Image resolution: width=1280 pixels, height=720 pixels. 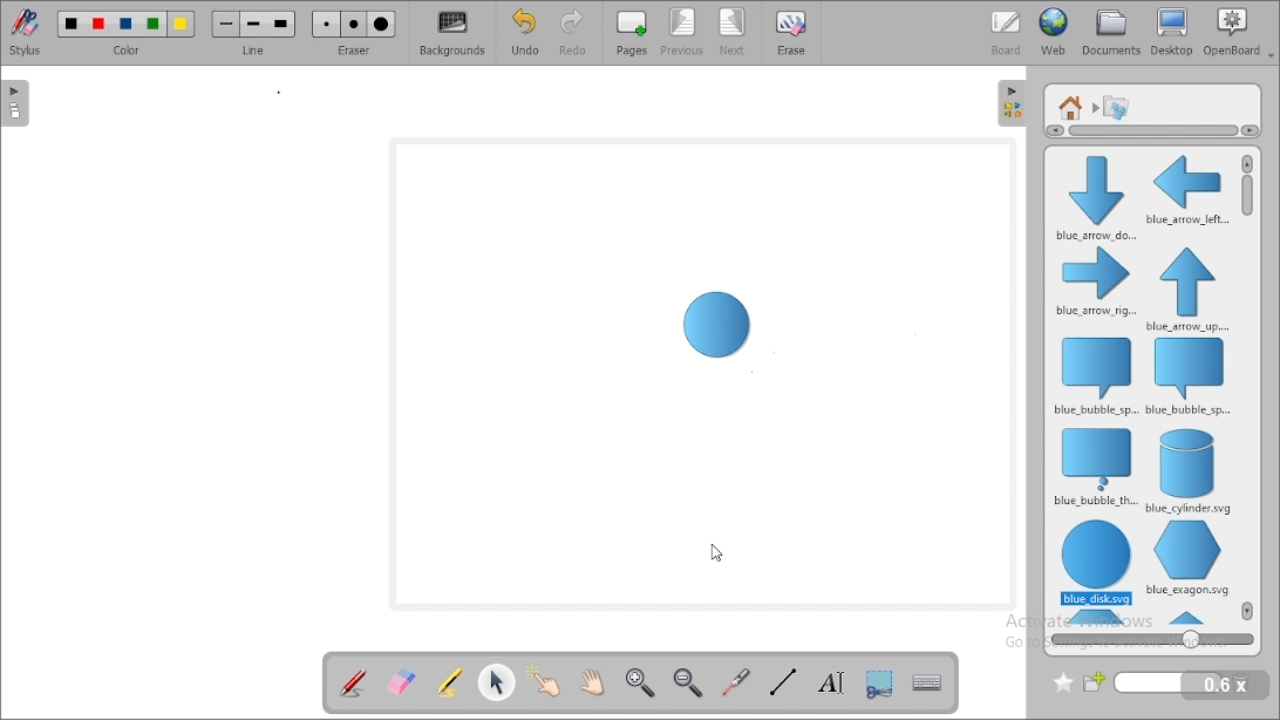 What do you see at coordinates (547, 679) in the screenshot?
I see `interact with items` at bounding box center [547, 679].